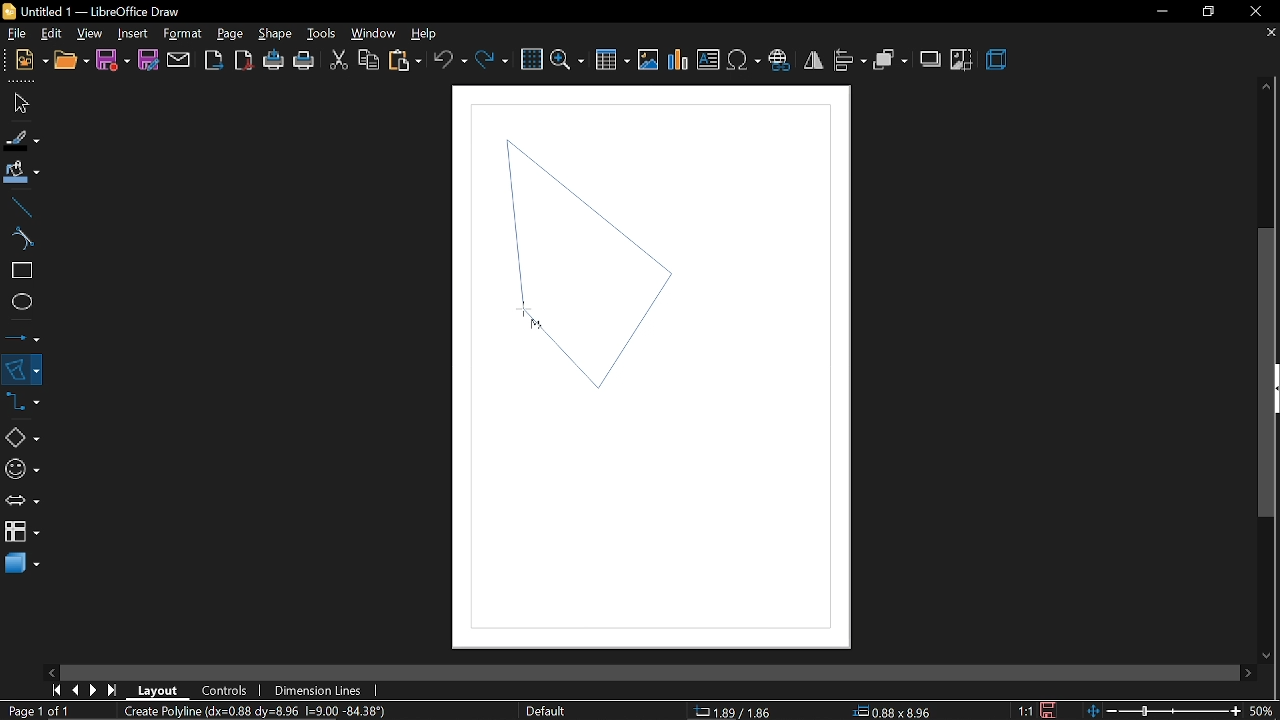 The height and width of the screenshot is (720, 1280). Describe the element at coordinates (1261, 10) in the screenshot. I see `close` at that location.